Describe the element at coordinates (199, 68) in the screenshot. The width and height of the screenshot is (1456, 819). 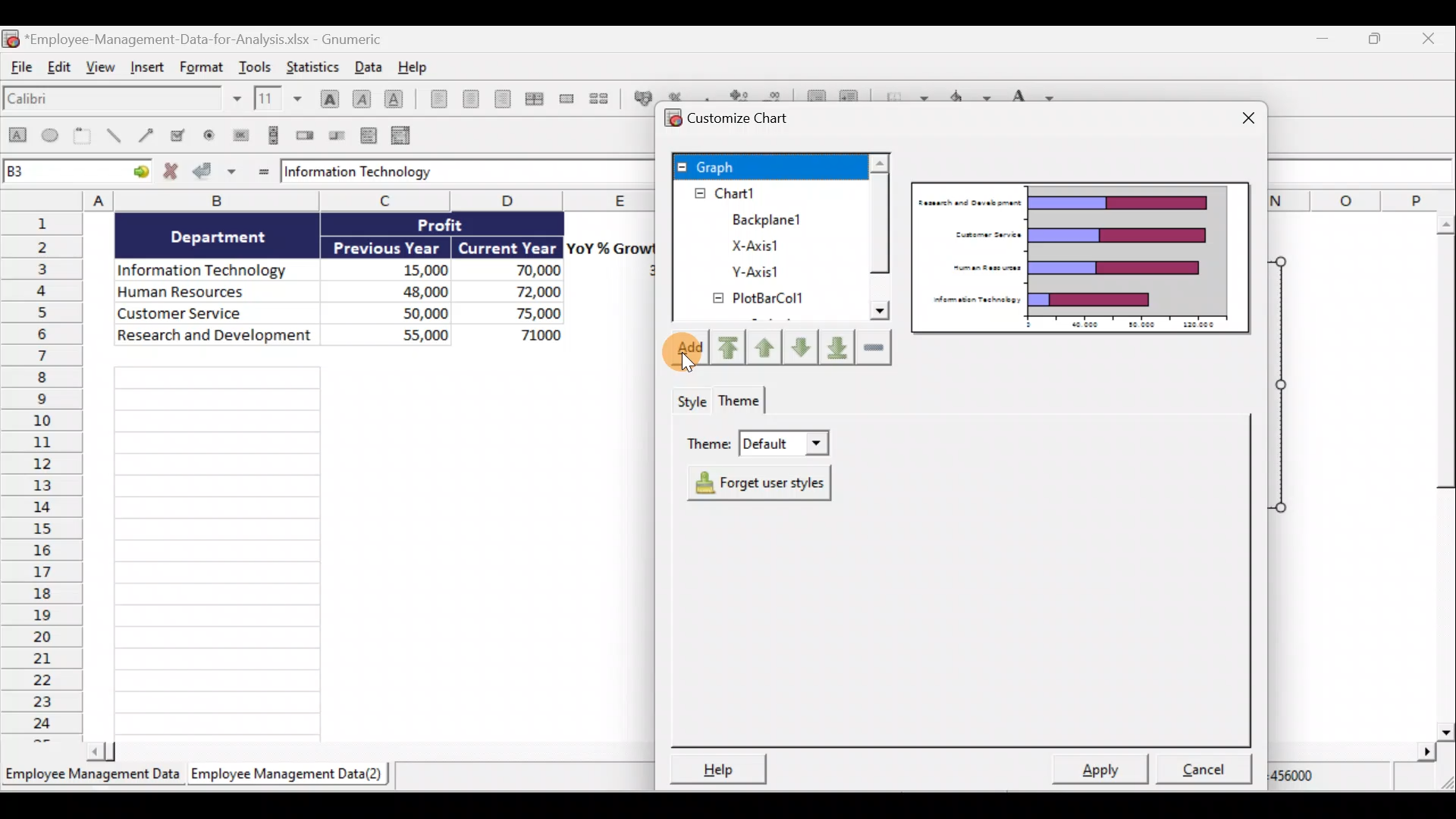
I see `Format` at that location.